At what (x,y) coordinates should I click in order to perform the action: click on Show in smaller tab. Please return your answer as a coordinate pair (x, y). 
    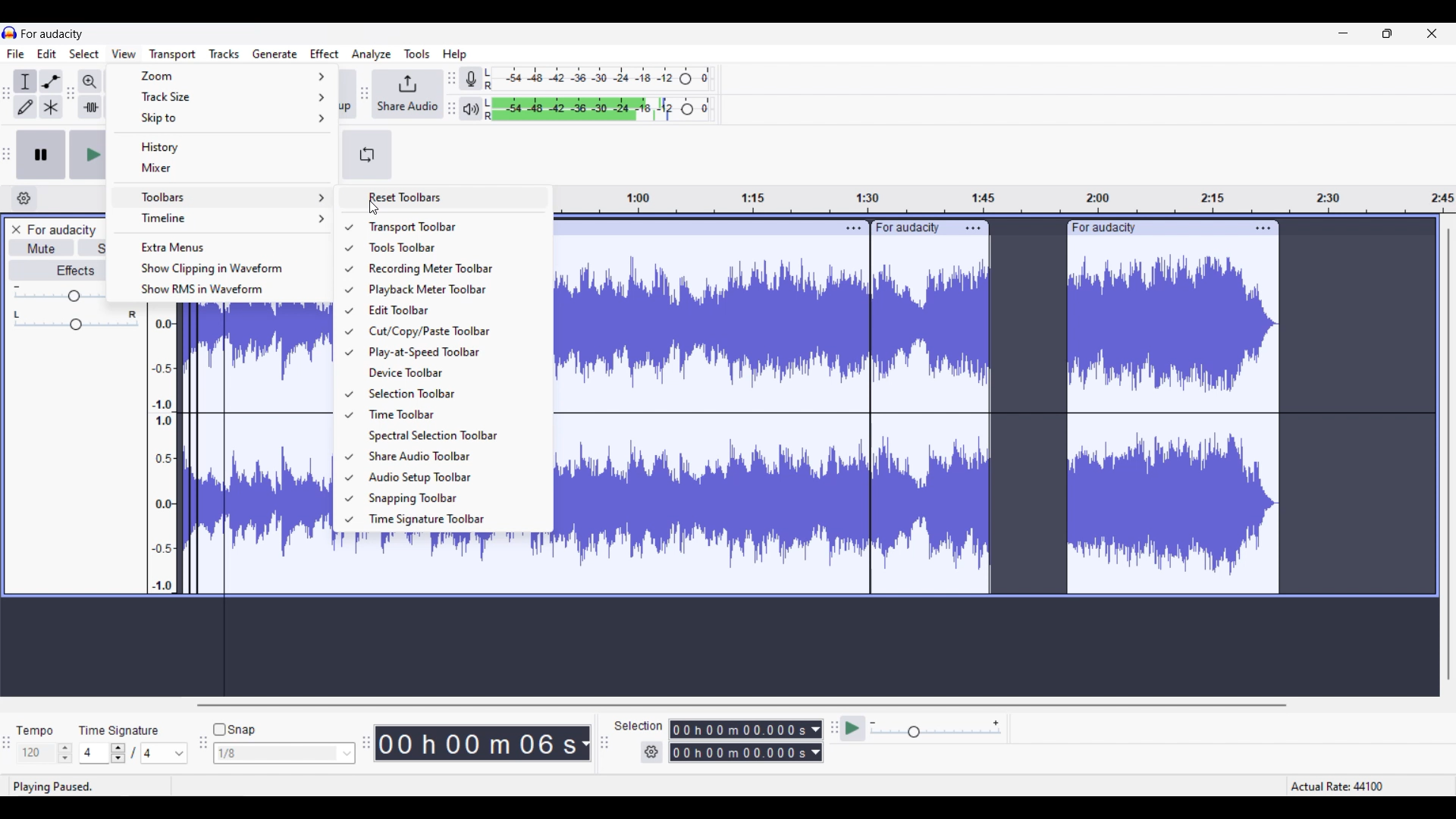
    Looking at the image, I should click on (1387, 33).